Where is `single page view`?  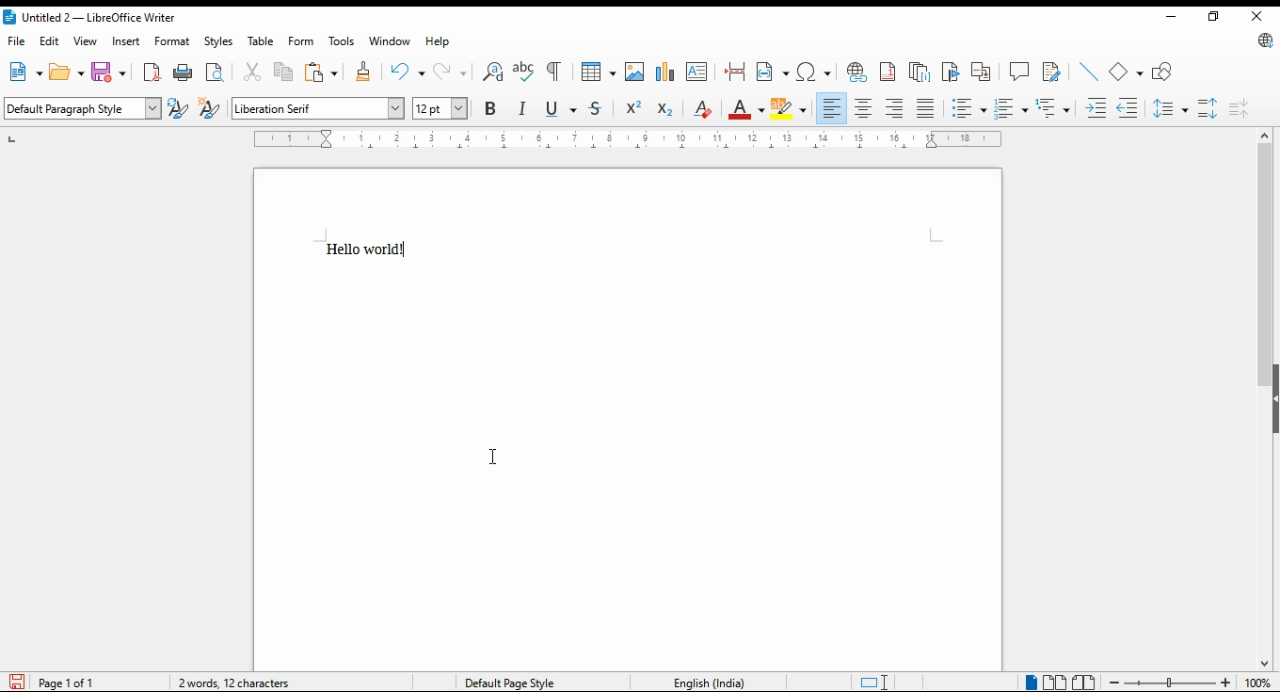
single page view is located at coordinates (1030, 683).